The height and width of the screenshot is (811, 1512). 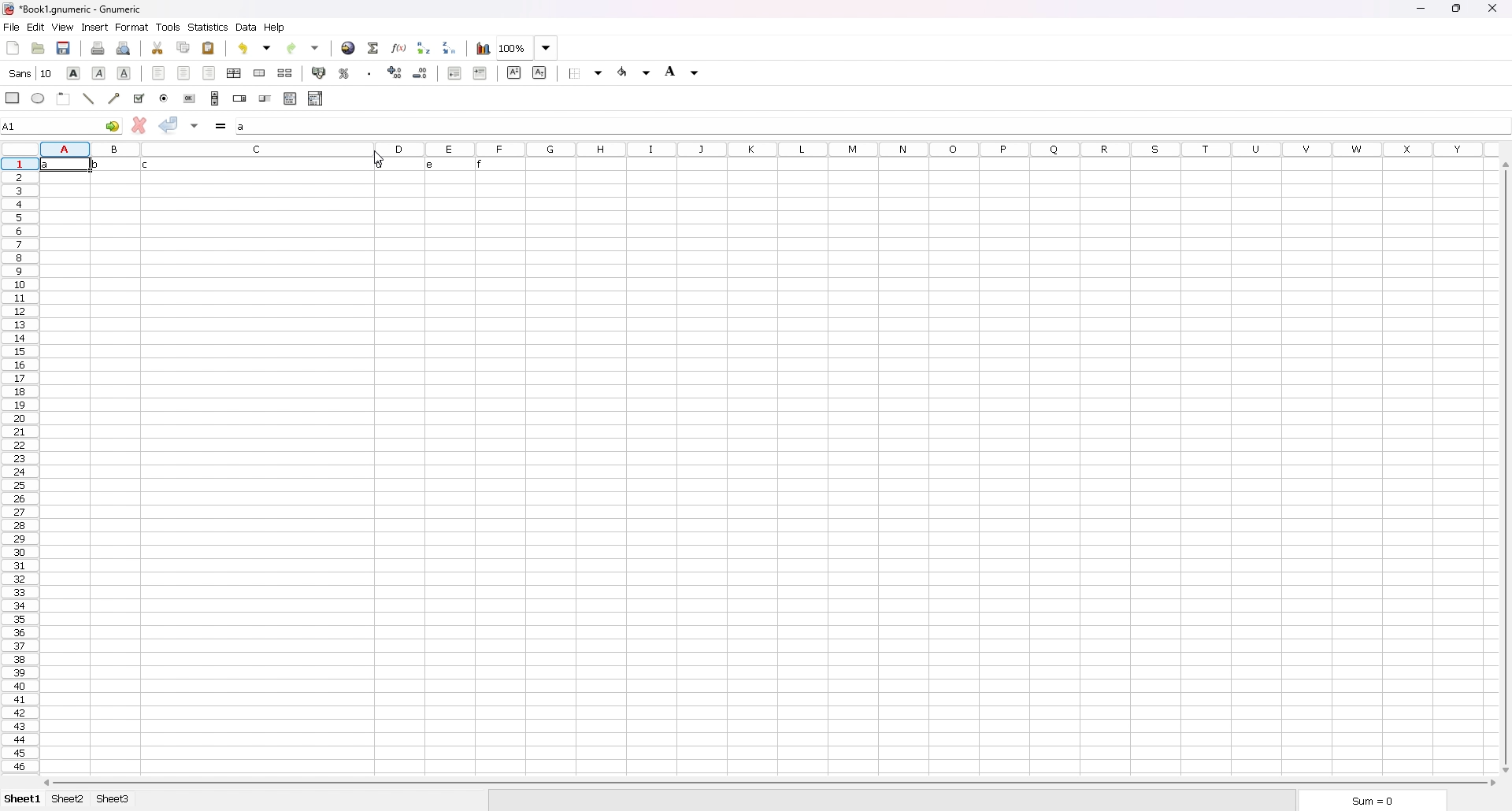 What do you see at coordinates (38, 47) in the screenshot?
I see `open` at bounding box center [38, 47].